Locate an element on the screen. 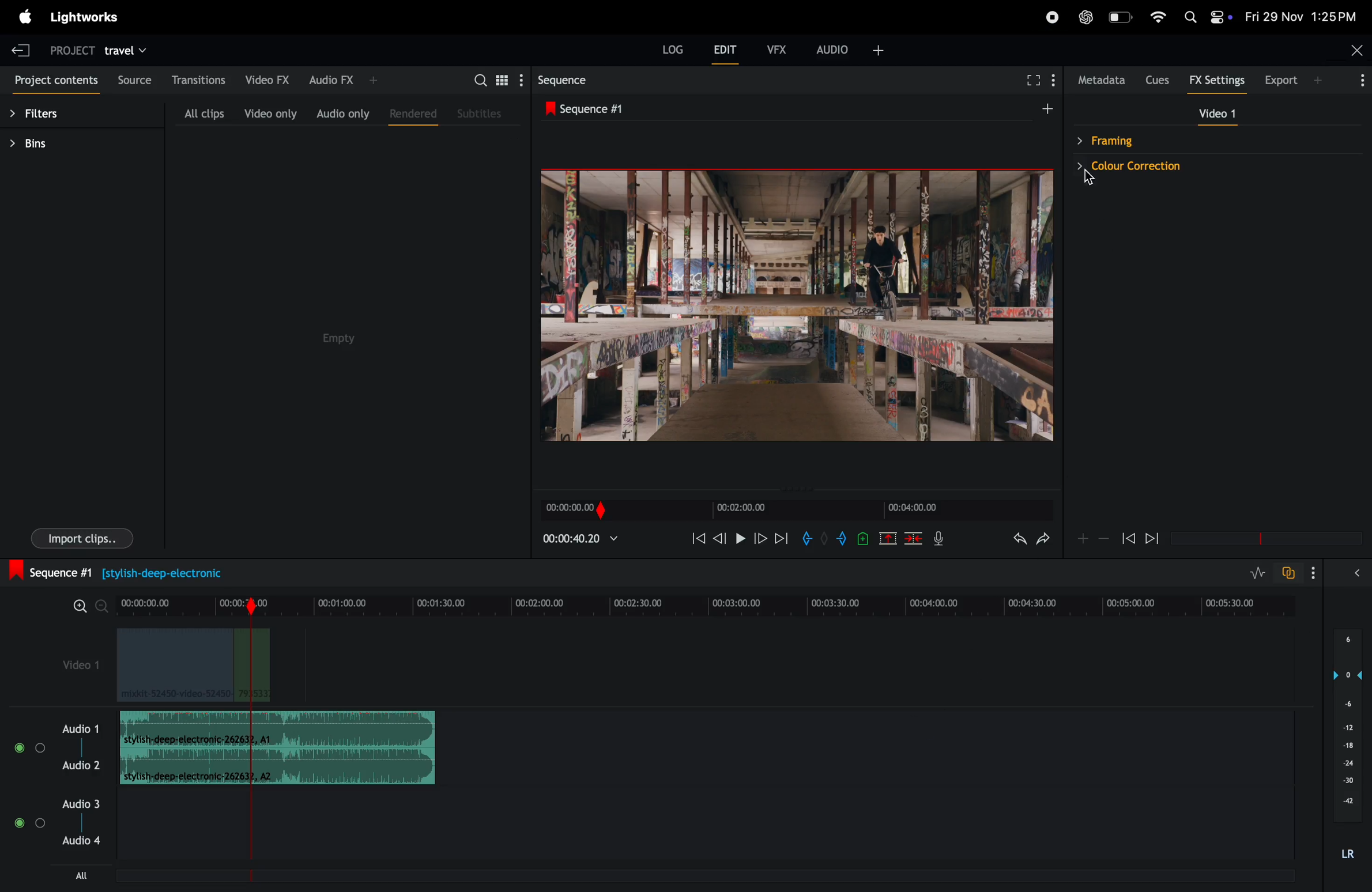  fullscreen is located at coordinates (1028, 78).